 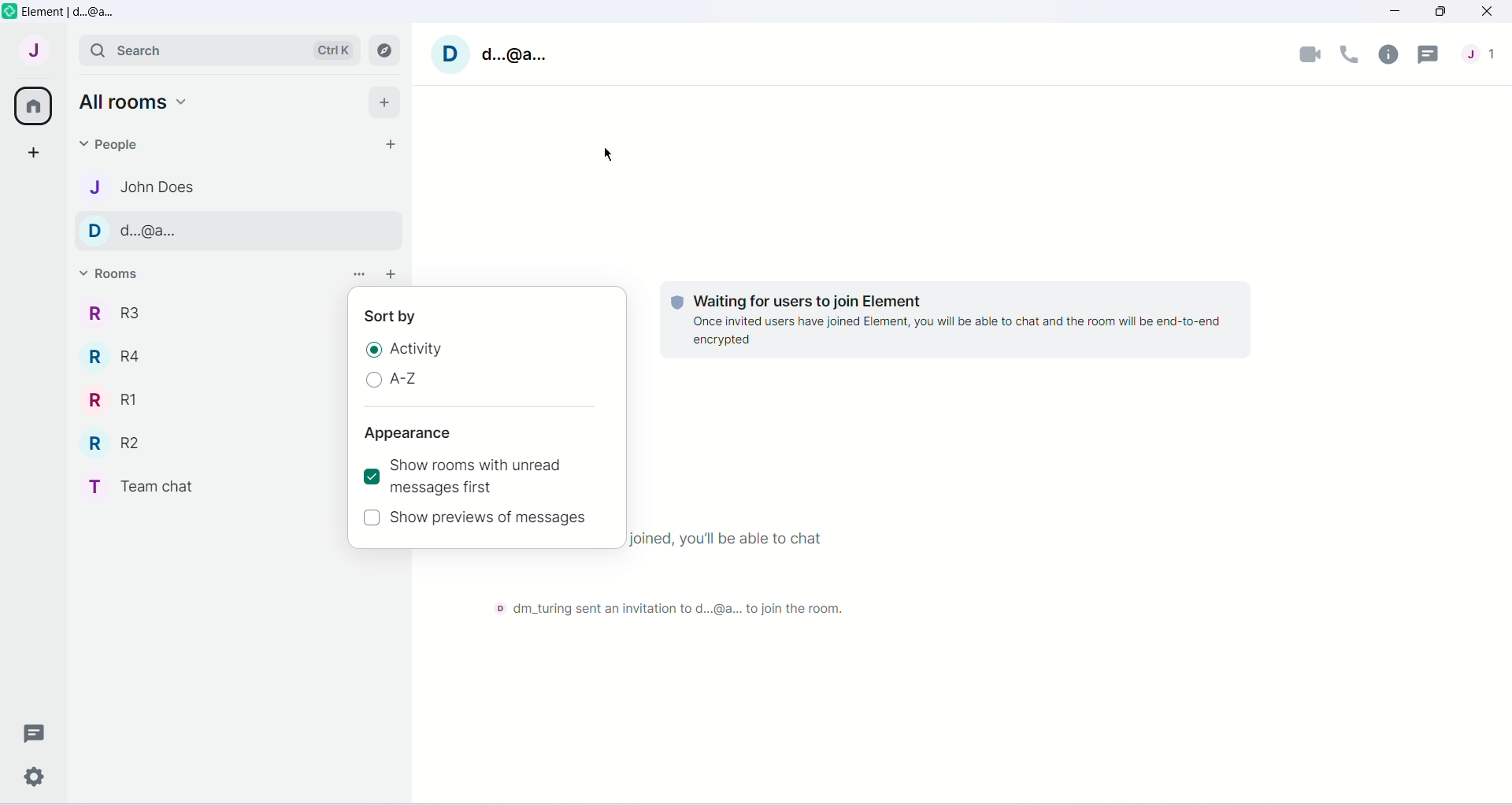 What do you see at coordinates (370, 476) in the screenshot?
I see `Check box checked` at bounding box center [370, 476].